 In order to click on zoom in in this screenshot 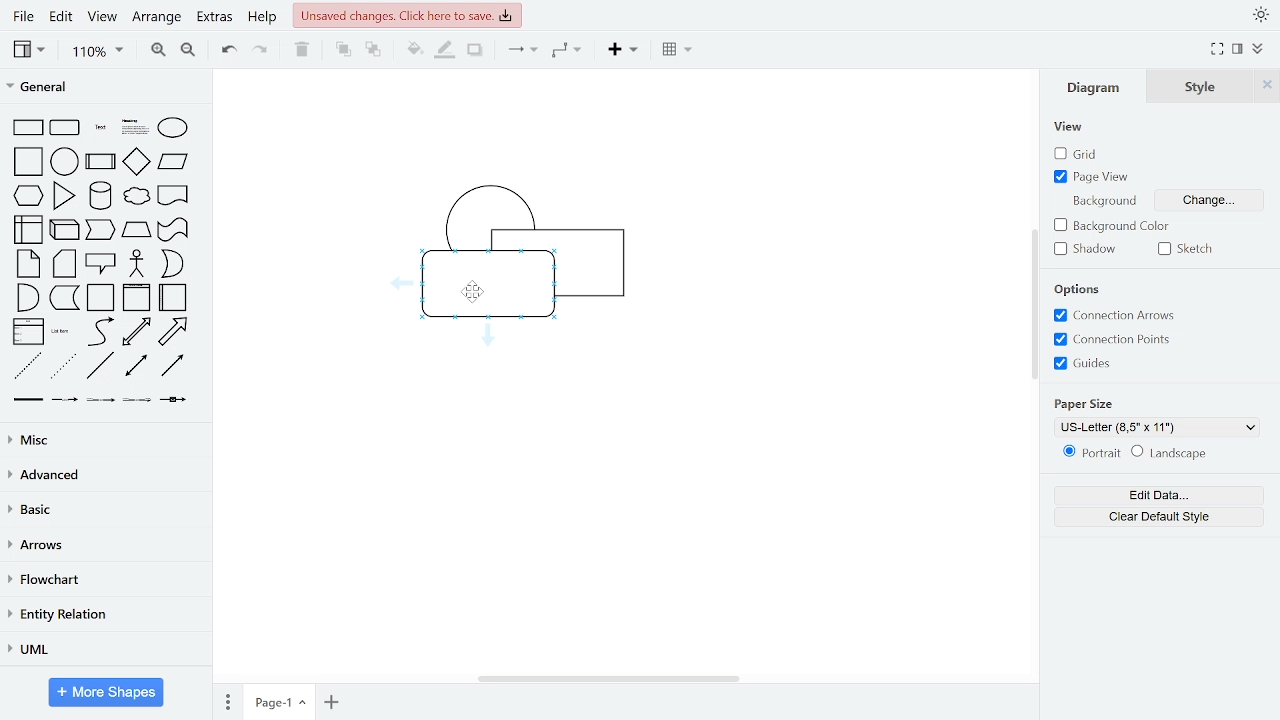, I will do `click(159, 51)`.